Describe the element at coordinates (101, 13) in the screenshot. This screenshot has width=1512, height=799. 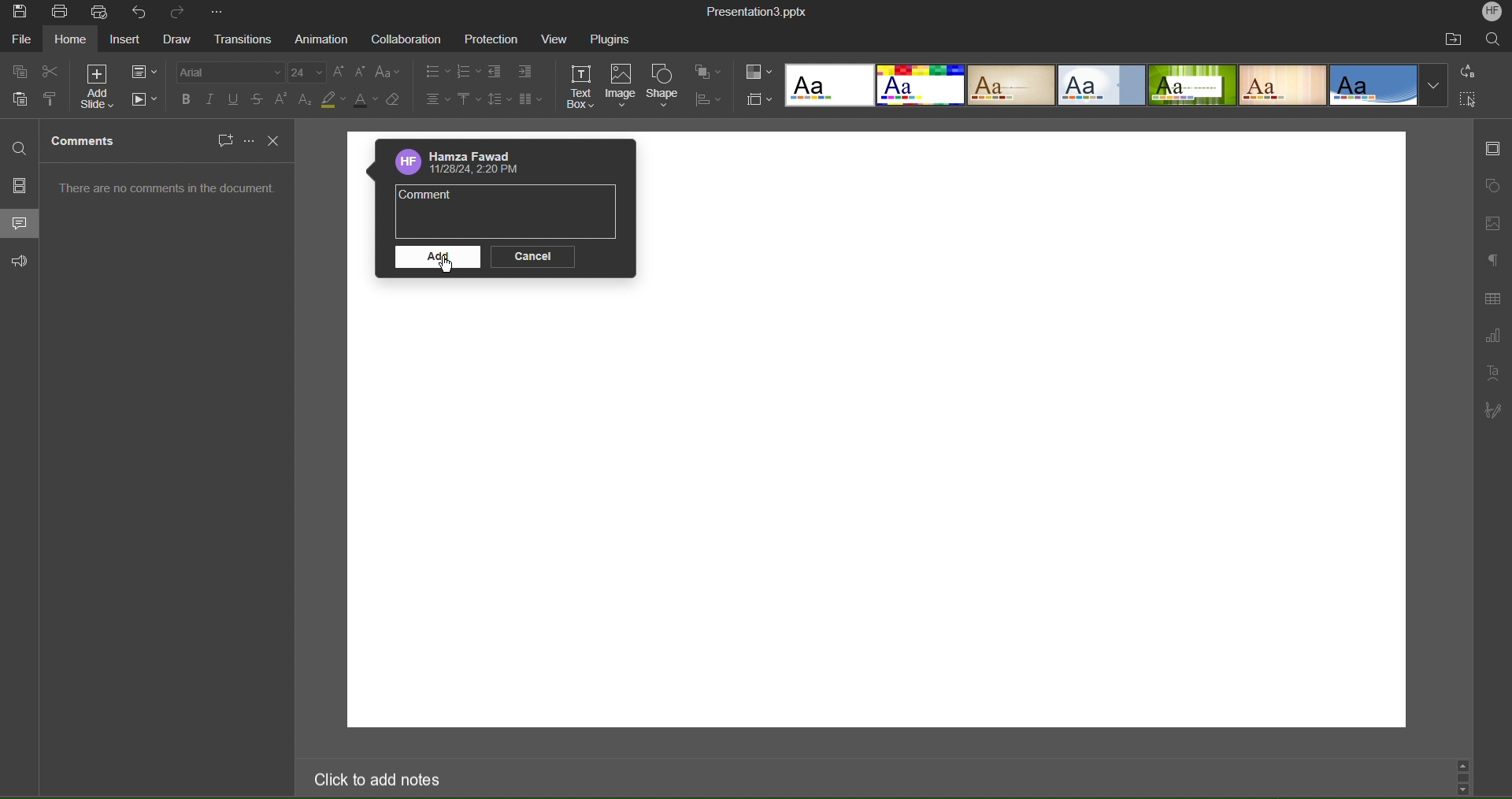
I see `Quick Print` at that location.